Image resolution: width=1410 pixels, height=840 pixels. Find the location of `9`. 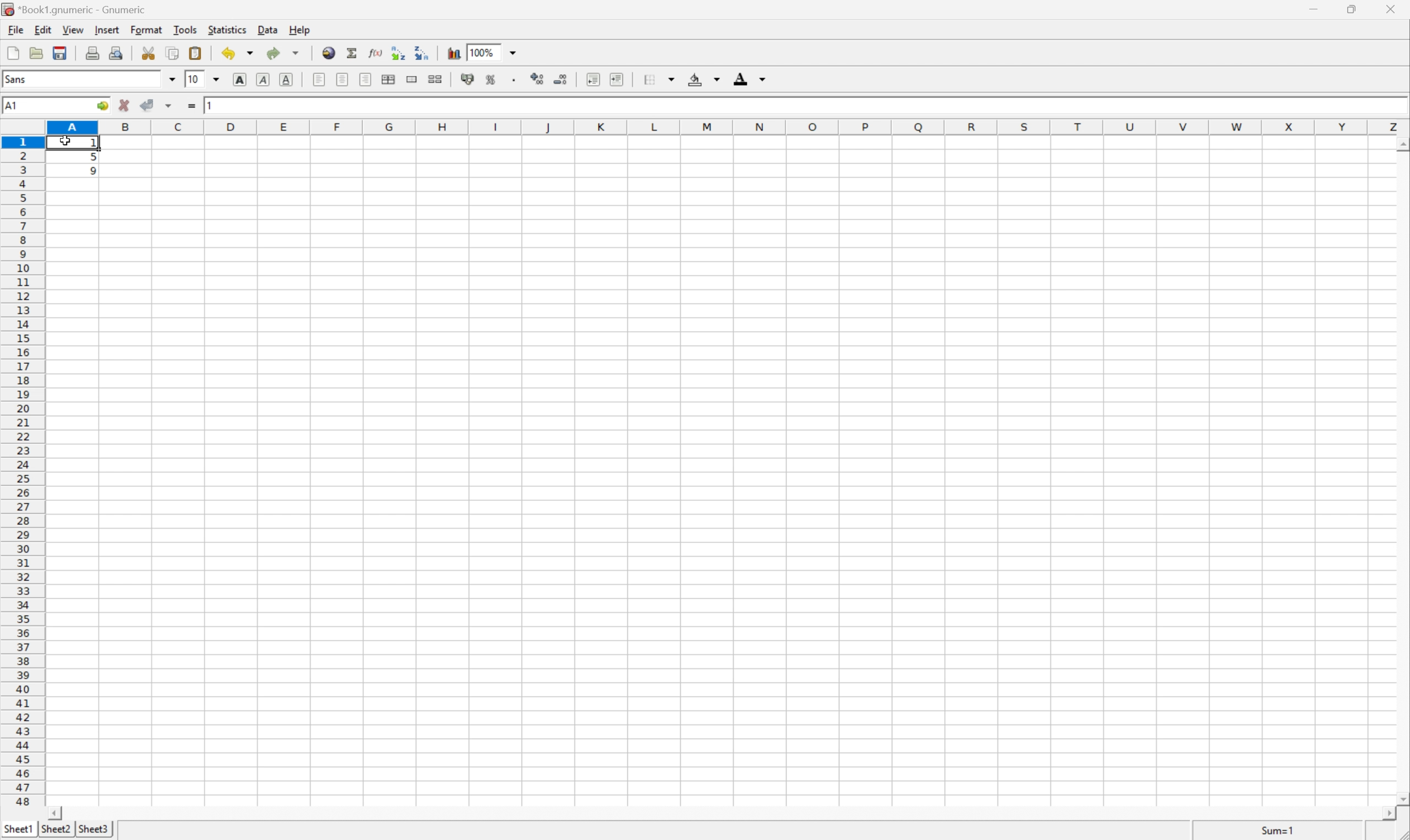

9 is located at coordinates (95, 172).